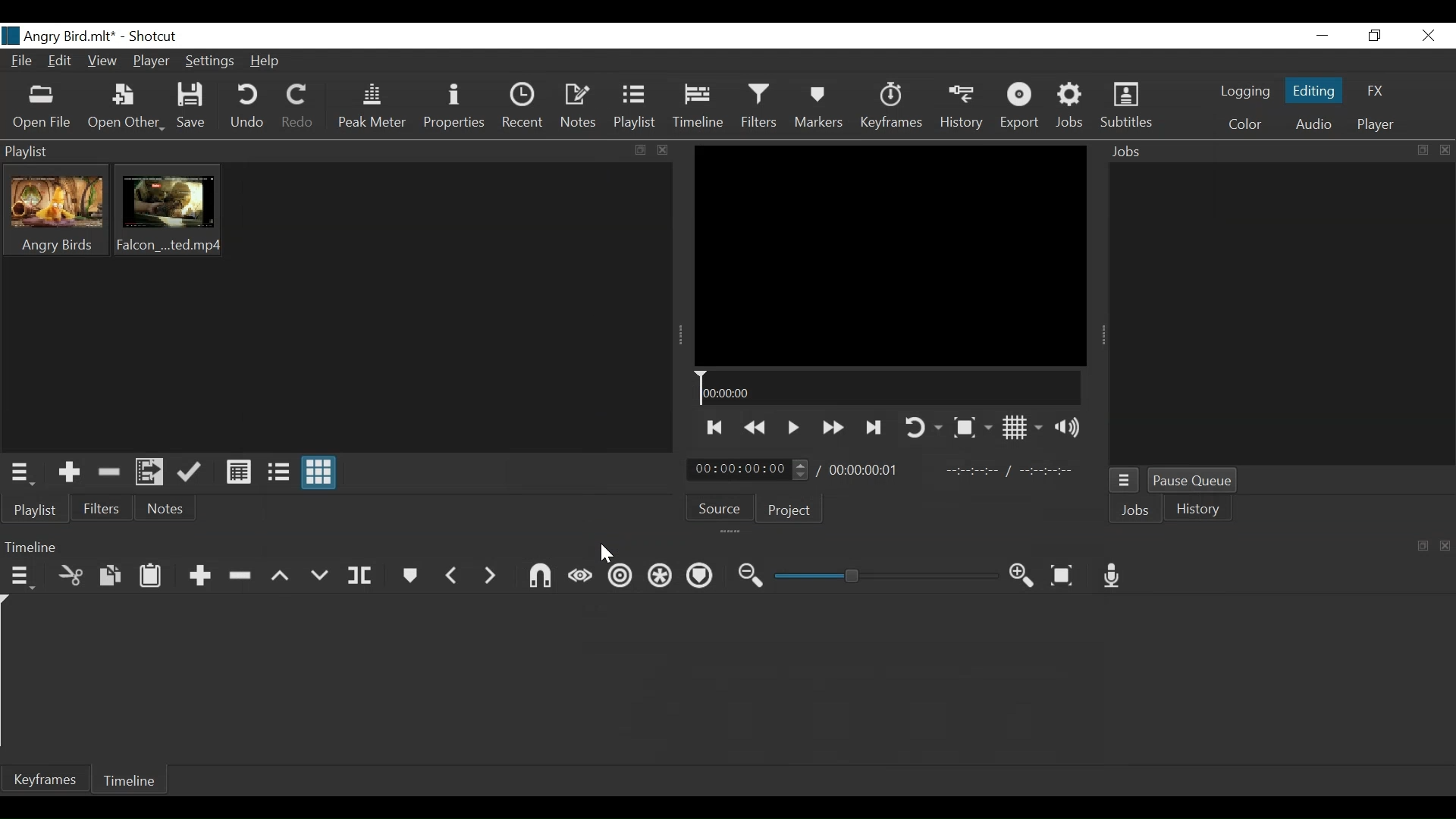 This screenshot has height=819, width=1456. I want to click on Clip, so click(56, 210).